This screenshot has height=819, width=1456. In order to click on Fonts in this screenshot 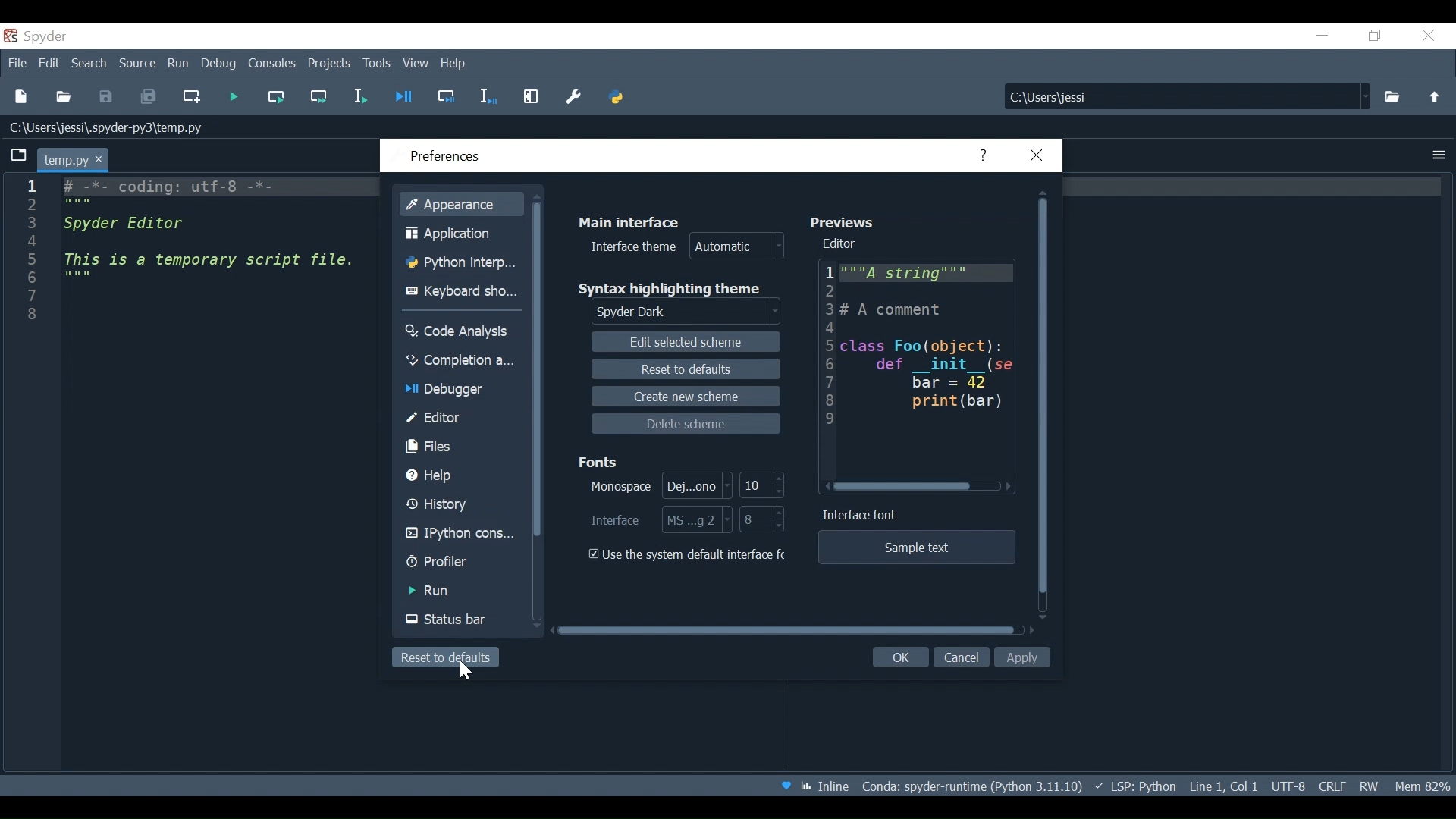, I will do `click(601, 459)`.